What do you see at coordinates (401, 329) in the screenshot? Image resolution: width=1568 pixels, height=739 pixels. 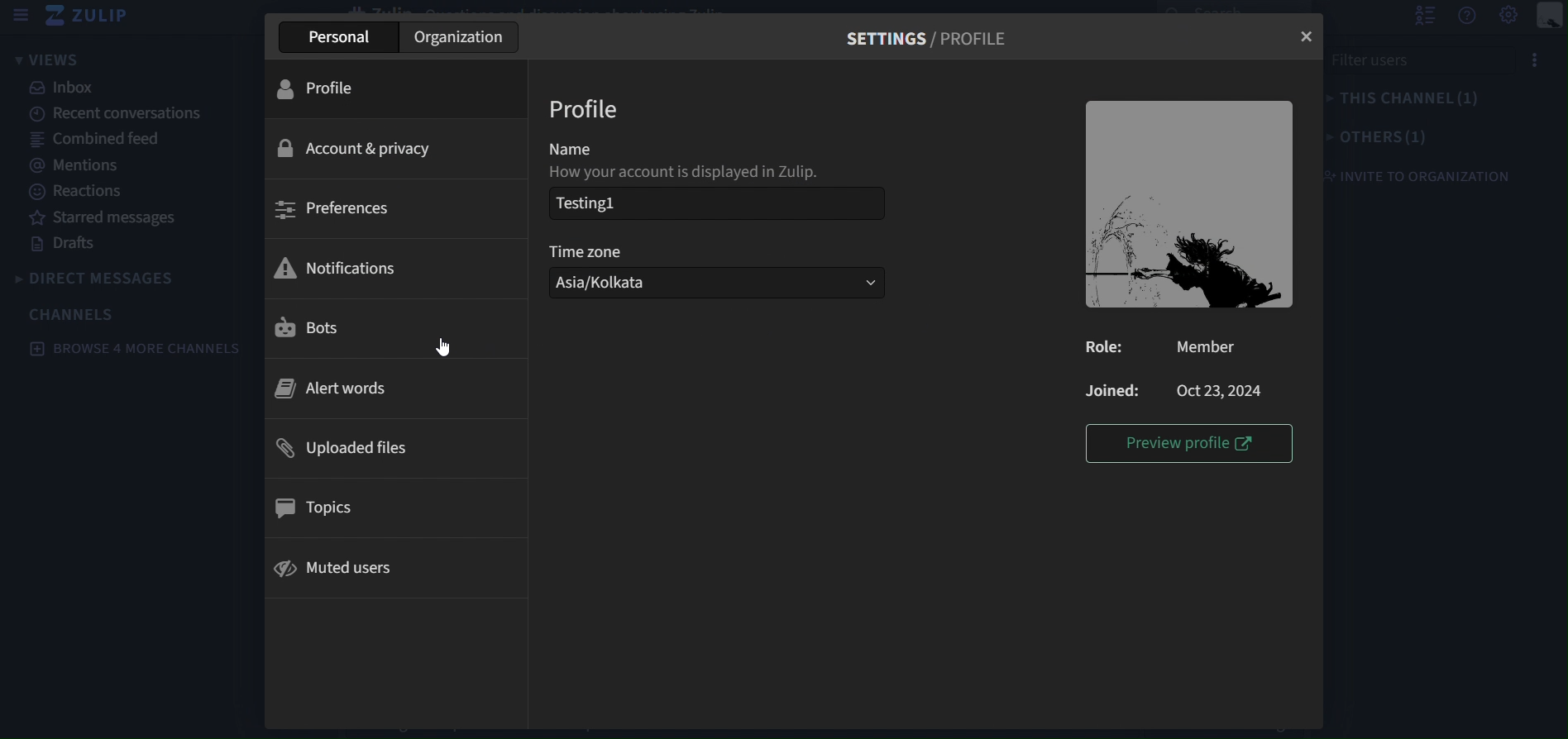 I see `bots` at bounding box center [401, 329].